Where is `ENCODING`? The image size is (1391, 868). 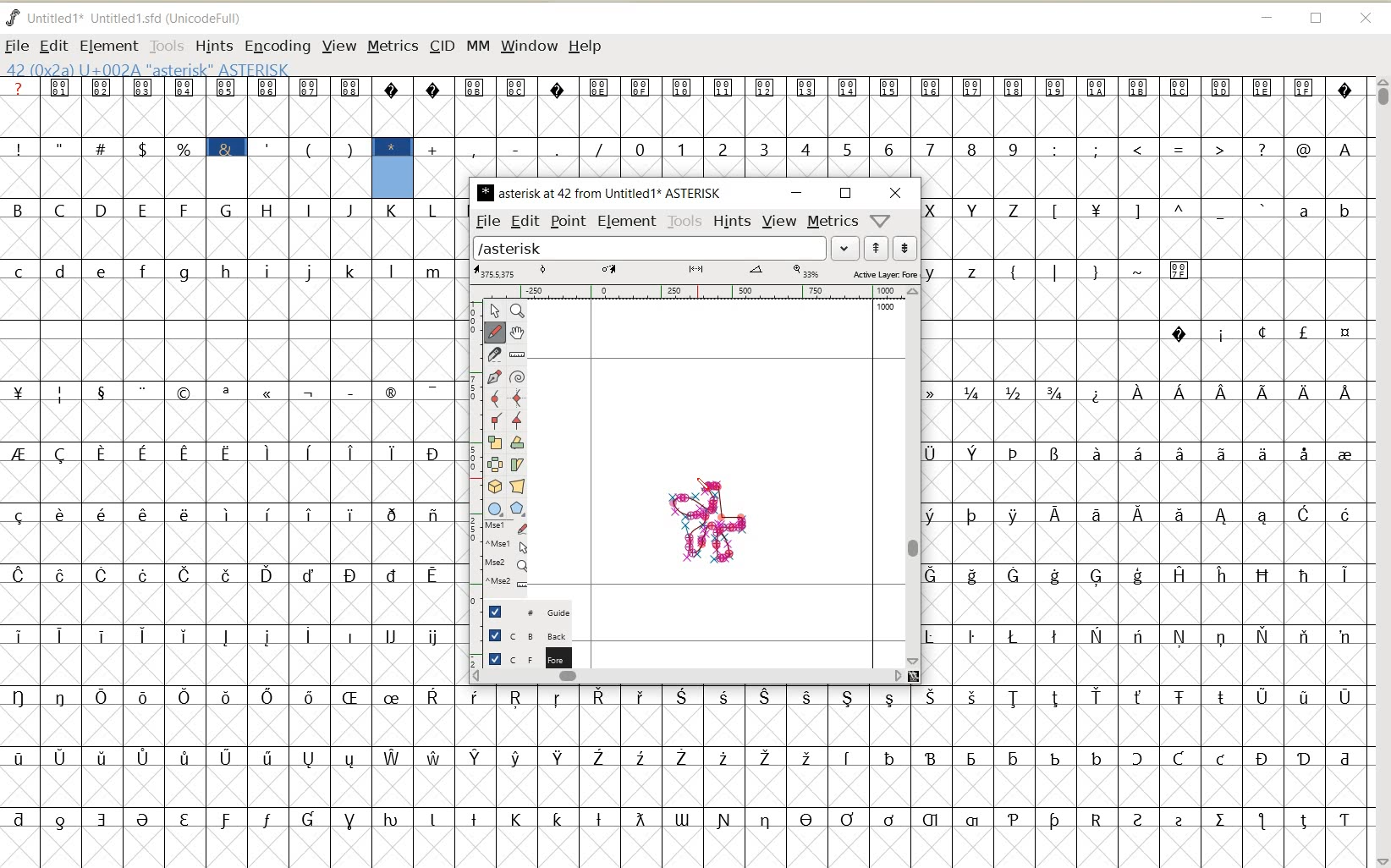
ENCODING is located at coordinates (277, 47).